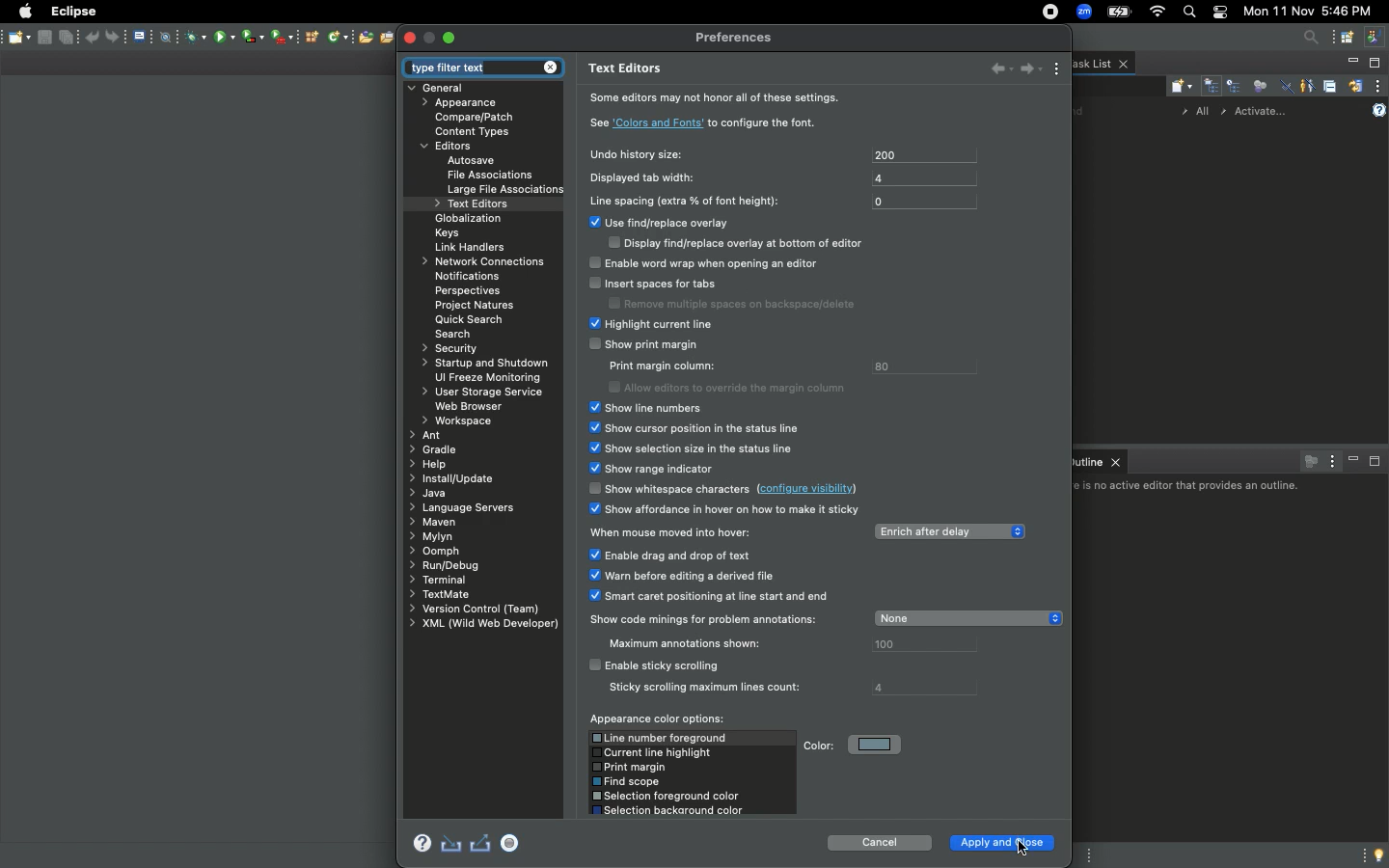 Image resolution: width=1389 pixels, height=868 pixels. I want to click on Task list, so click(1103, 63).